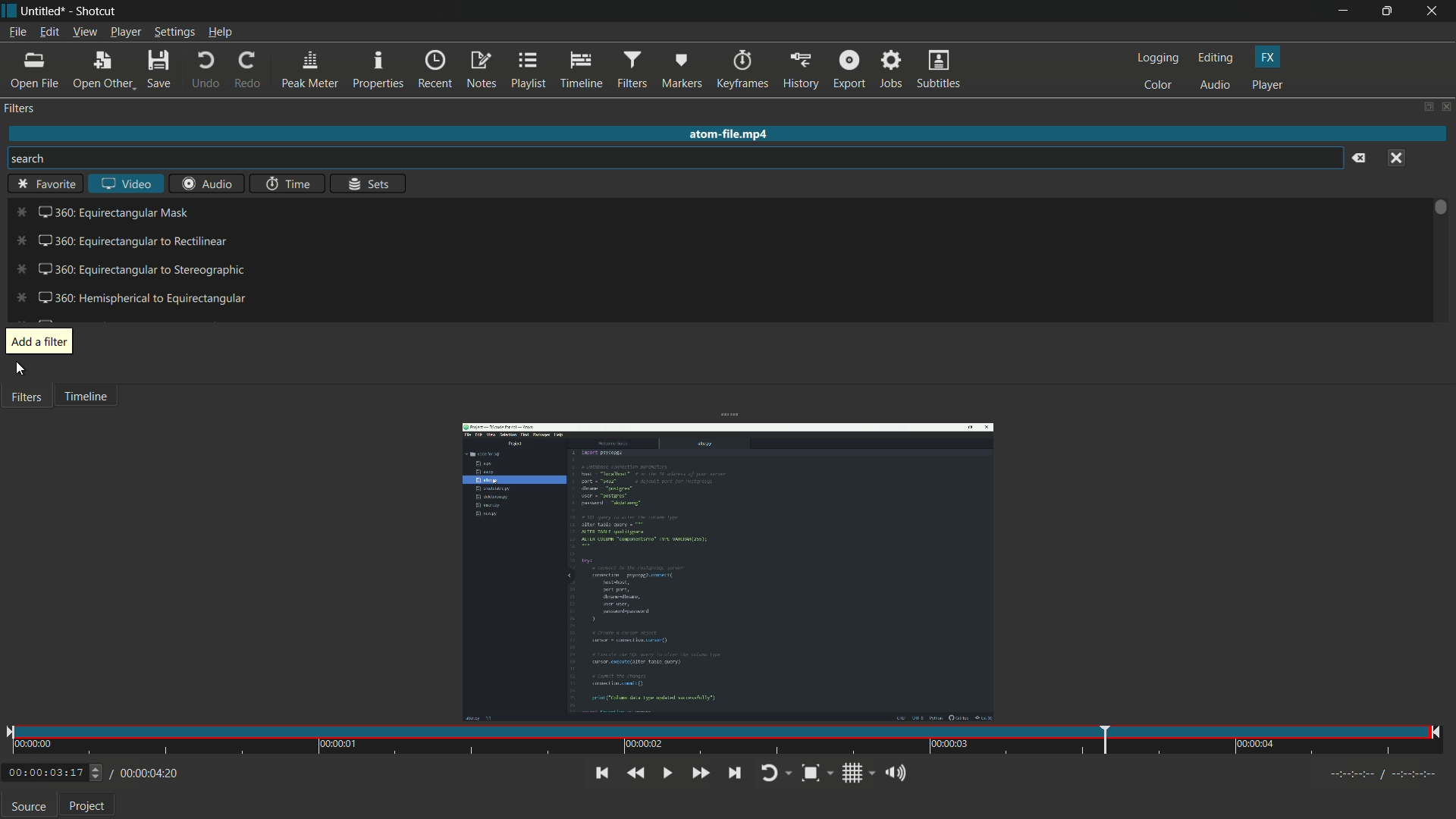 The width and height of the screenshot is (1456, 819). Describe the element at coordinates (579, 71) in the screenshot. I see `timeline` at that location.